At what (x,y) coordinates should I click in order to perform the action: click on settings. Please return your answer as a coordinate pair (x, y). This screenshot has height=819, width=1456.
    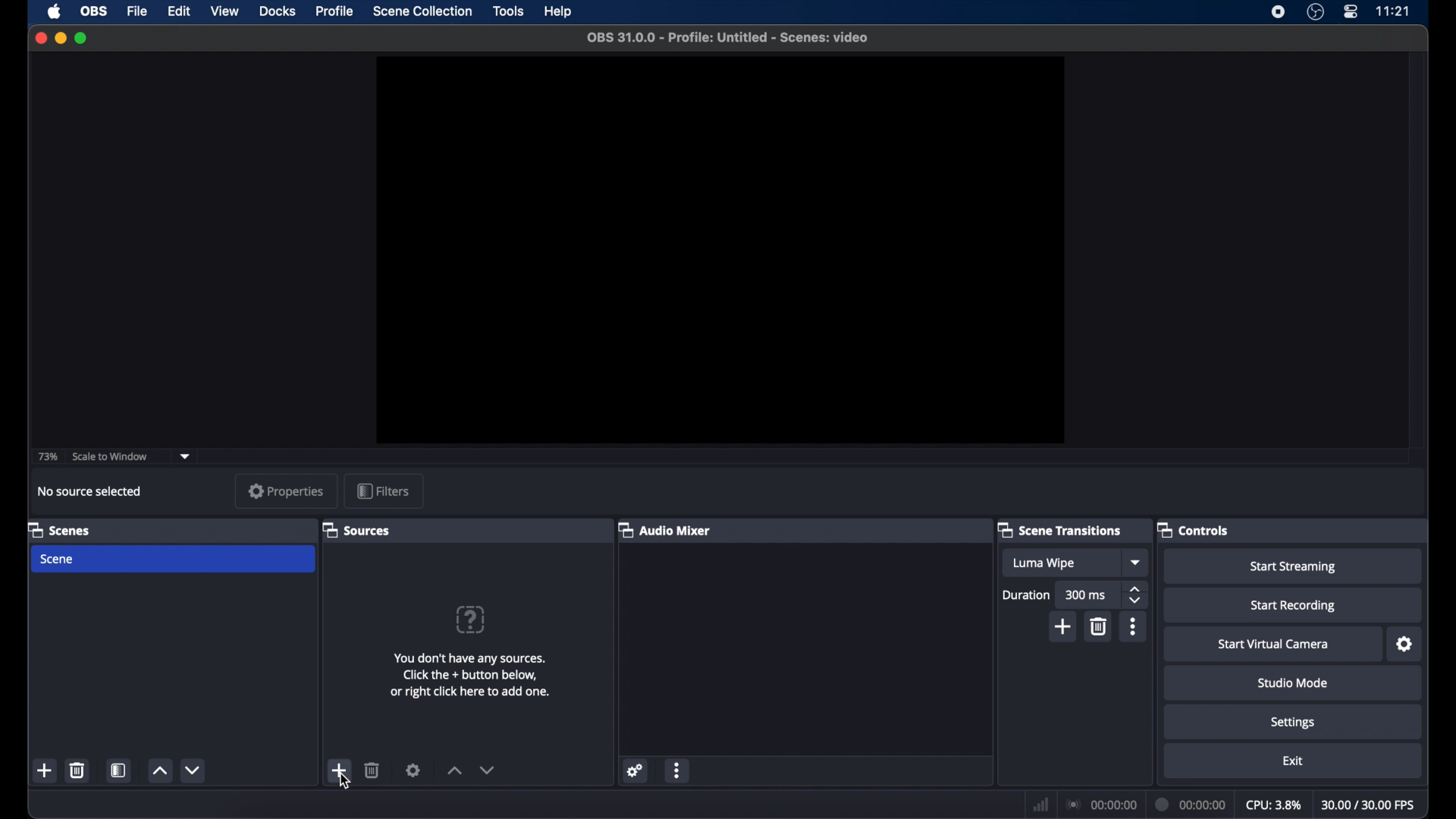
    Looking at the image, I should click on (635, 770).